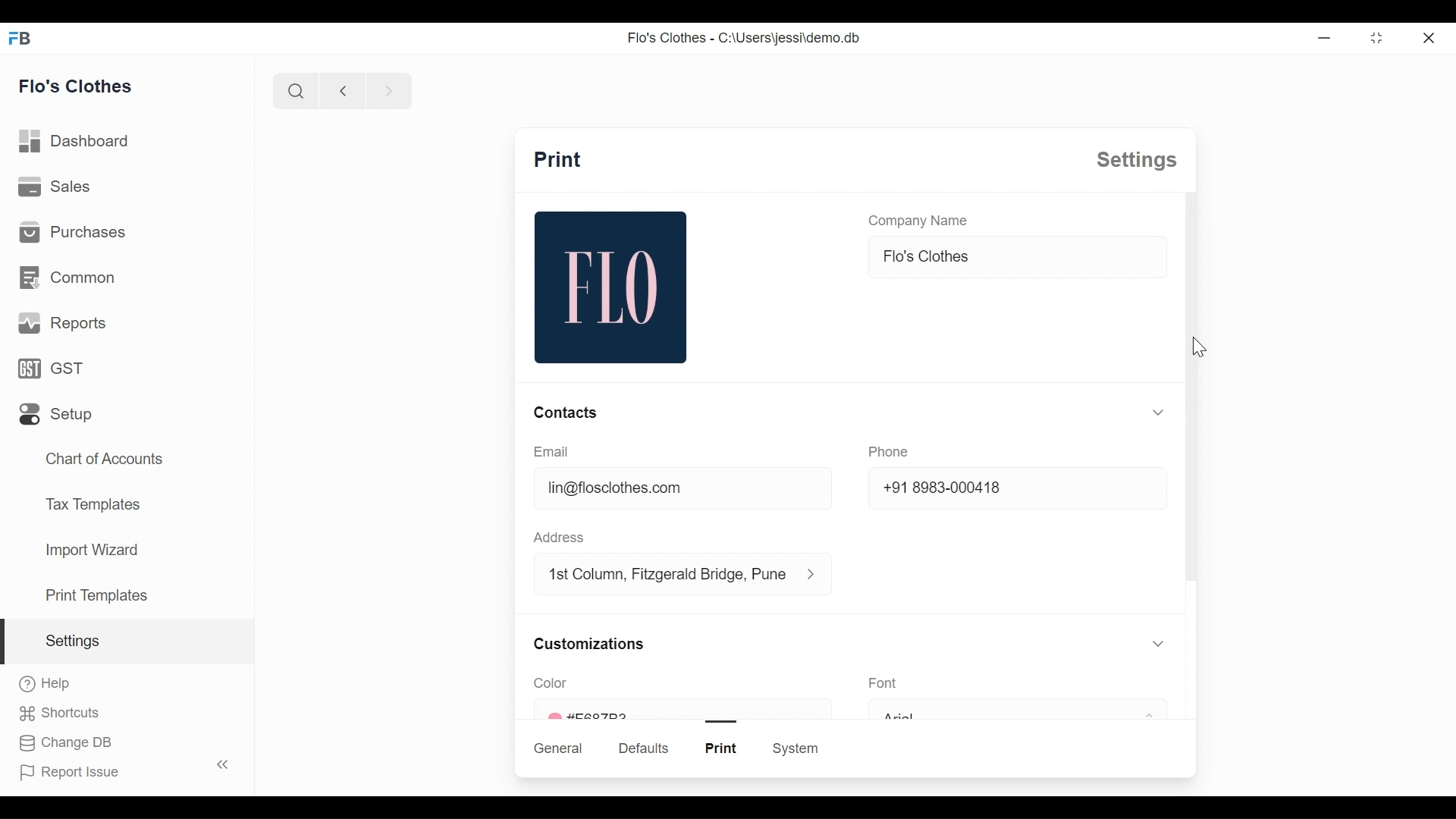 Image resolution: width=1456 pixels, height=819 pixels. I want to click on sales, so click(55, 185).